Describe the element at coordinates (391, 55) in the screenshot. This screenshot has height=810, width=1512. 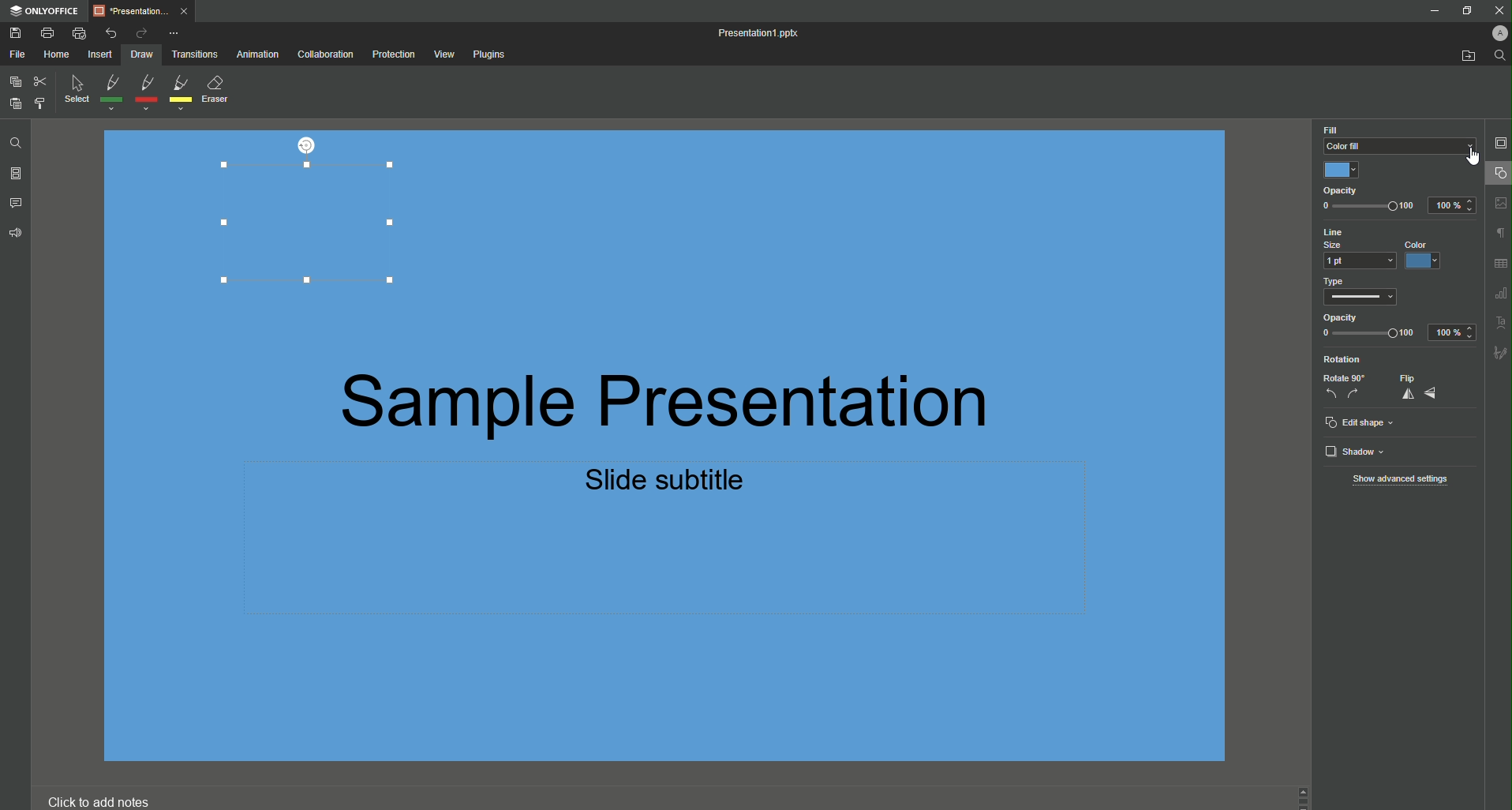
I see `Protection` at that location.